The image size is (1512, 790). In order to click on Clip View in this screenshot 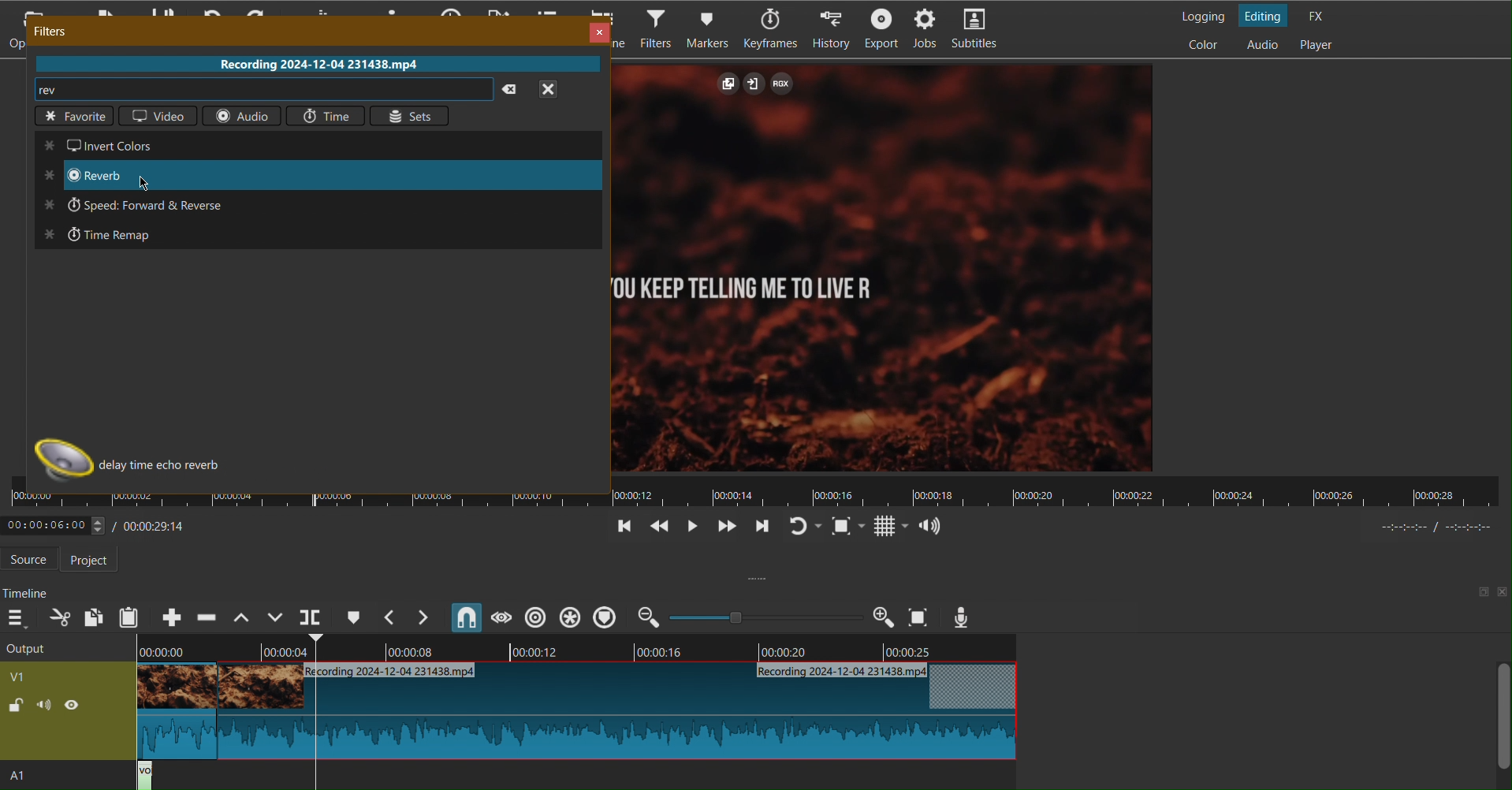, I will do `click(886, 267)`.